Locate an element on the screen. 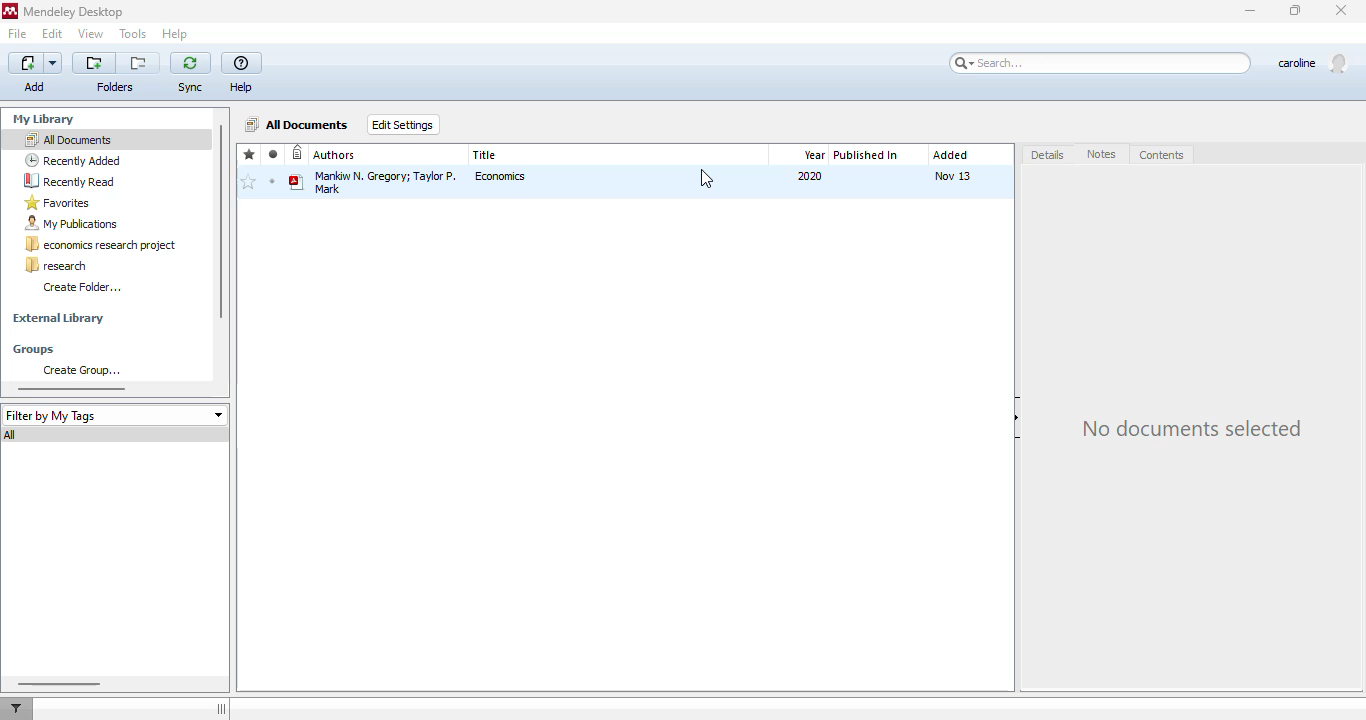  filter by my tags is located at coordinates (114, 415).